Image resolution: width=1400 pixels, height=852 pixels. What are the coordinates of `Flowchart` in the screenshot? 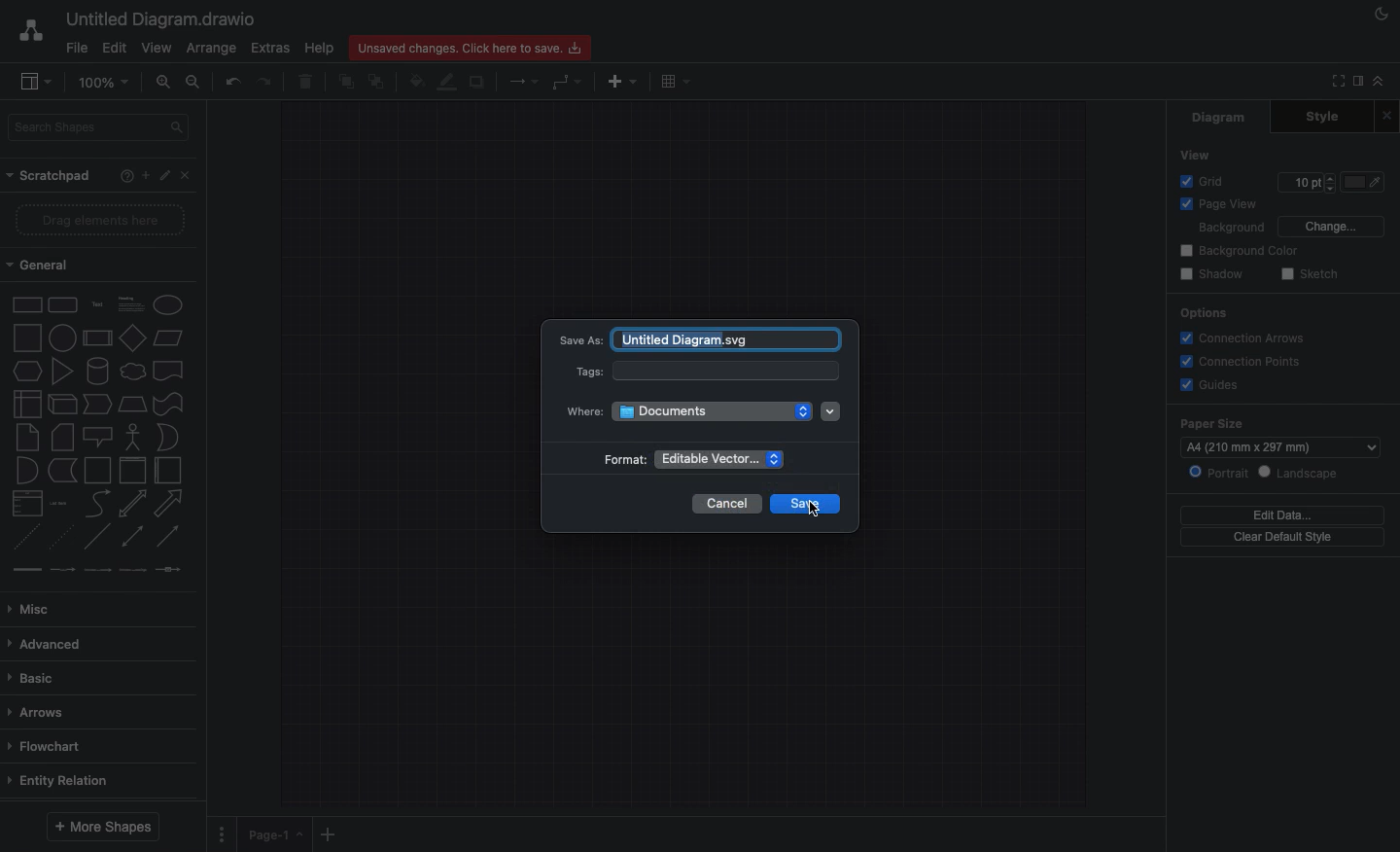 It's located at (44, 747).